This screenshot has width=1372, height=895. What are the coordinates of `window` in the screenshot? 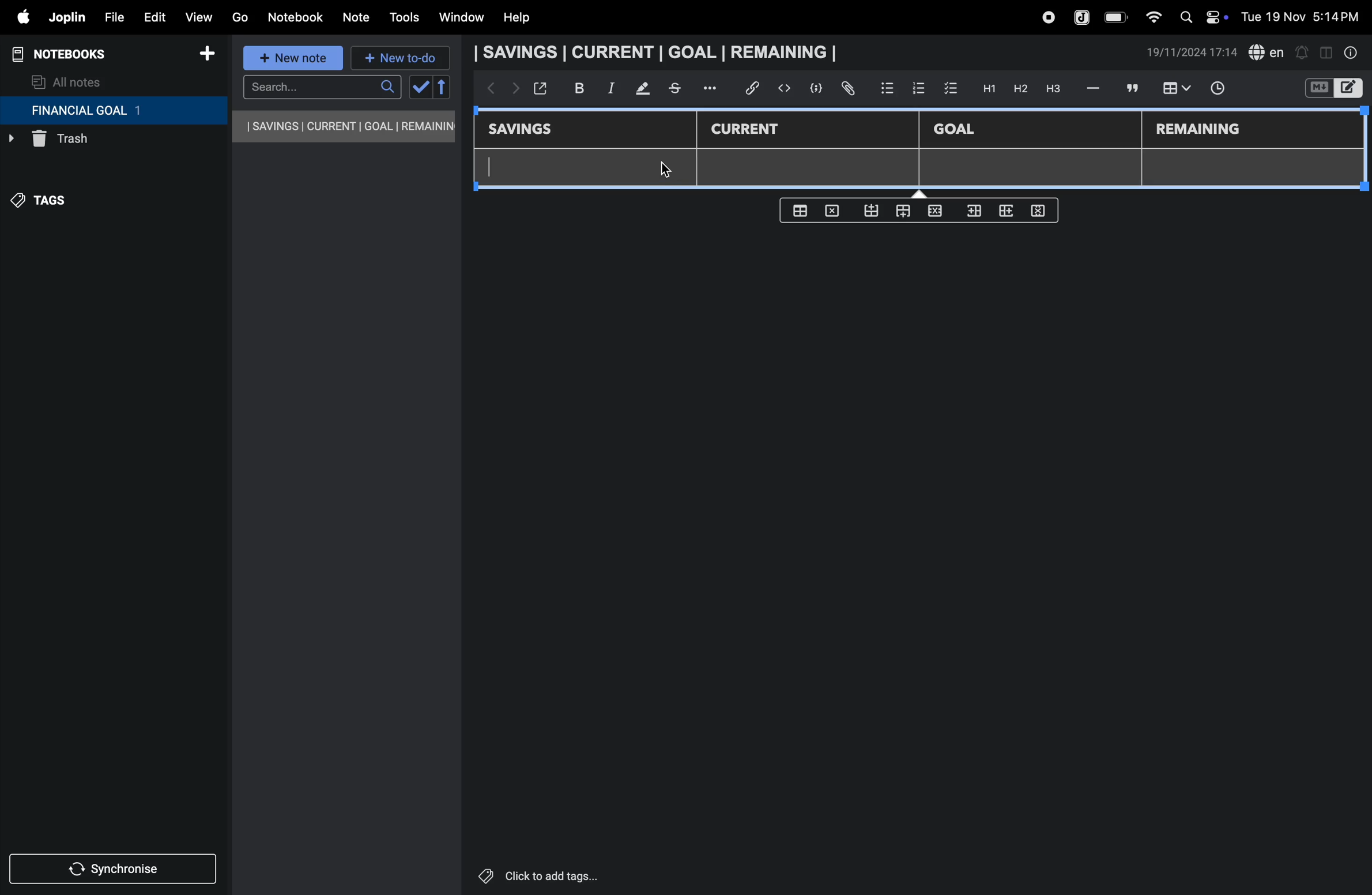 It's located at (460, 18).